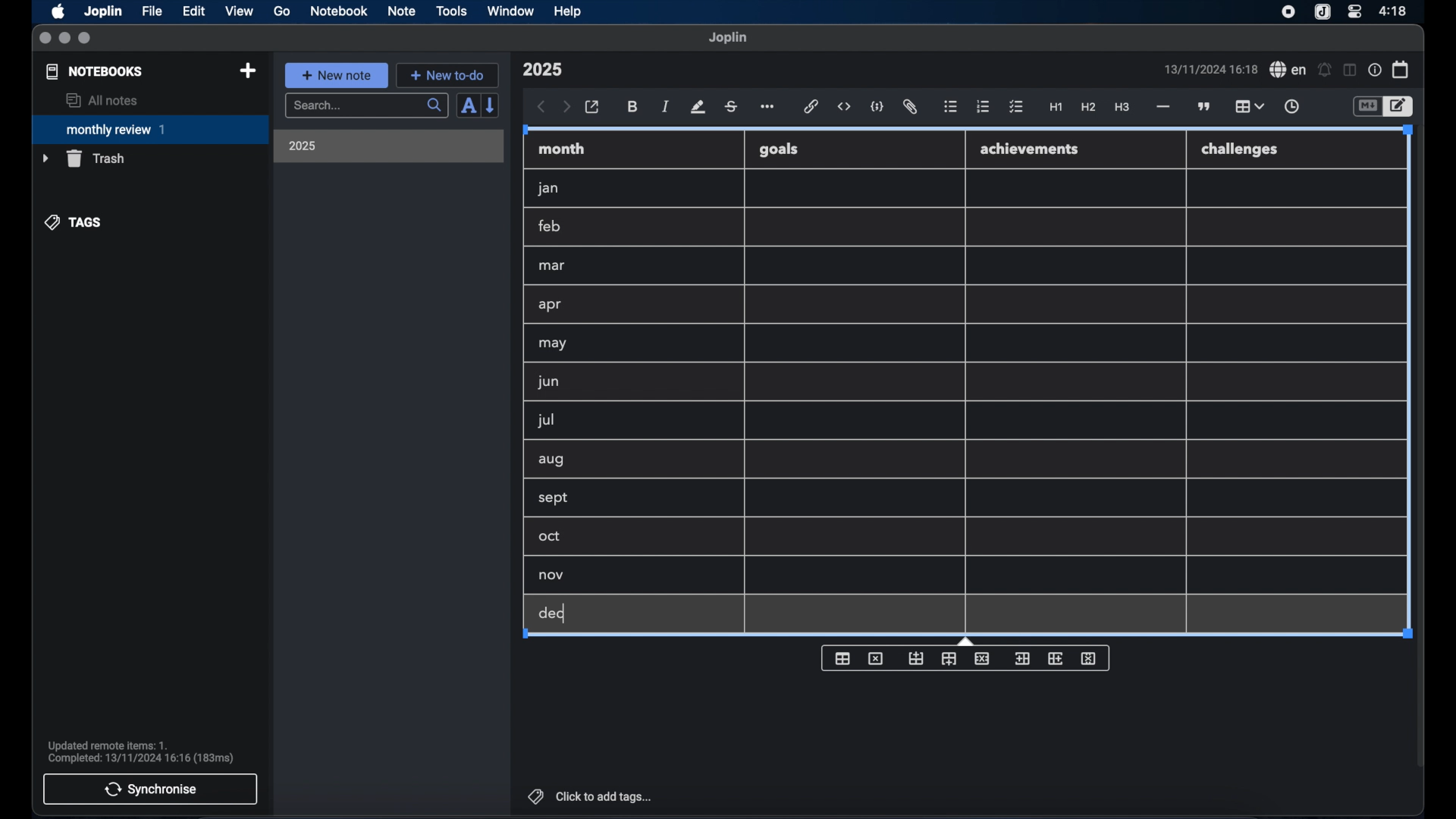 The width and height of the screenshot is (1456, 819). Describe the element at coordinates (541, 107) in the screenshot. I see `back` at that location.